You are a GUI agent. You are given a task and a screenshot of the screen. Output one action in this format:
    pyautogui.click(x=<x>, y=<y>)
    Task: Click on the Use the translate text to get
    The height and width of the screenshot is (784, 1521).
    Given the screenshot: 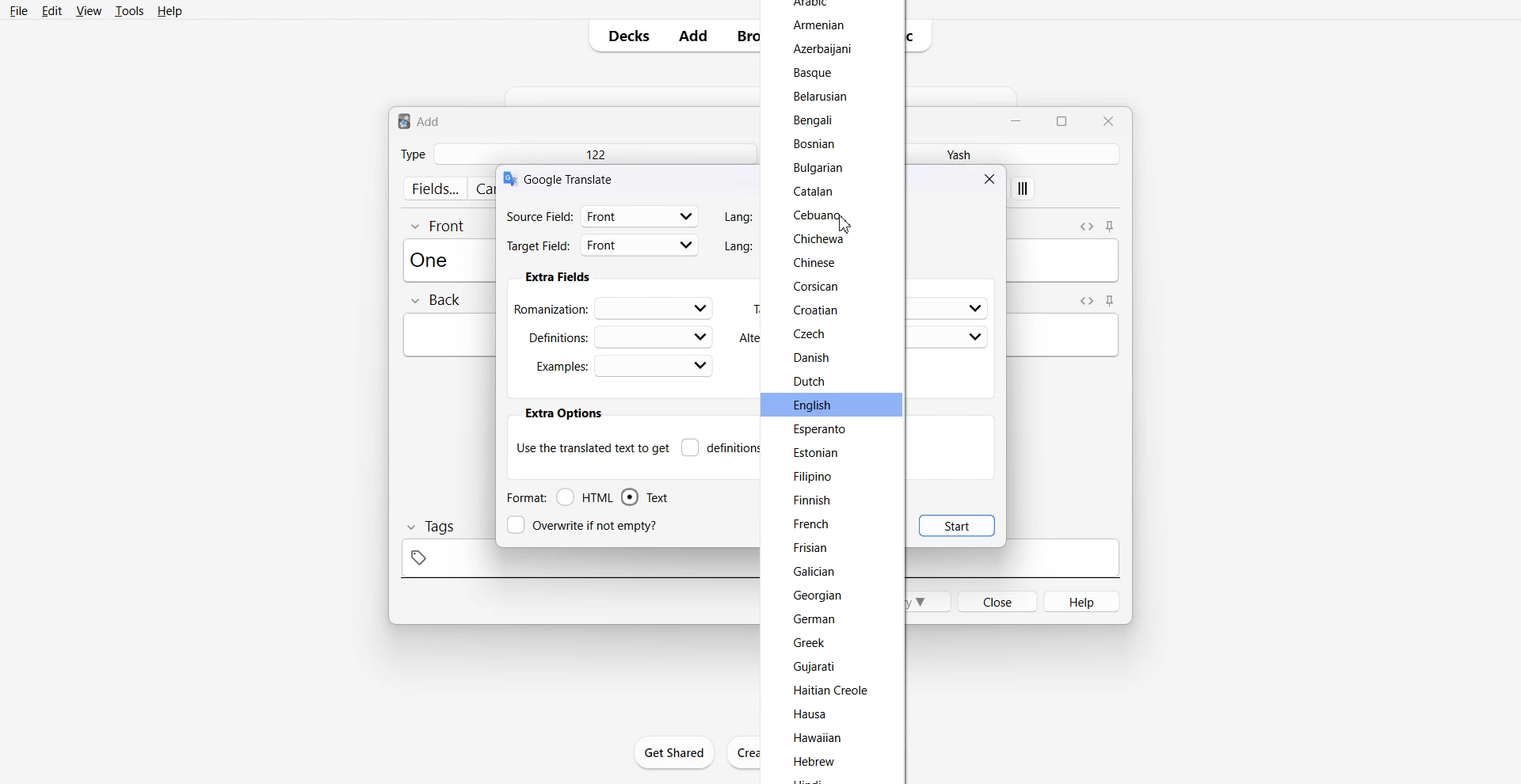 What is the action you would take?
    pyautogui.click(x=593, y=447)
    